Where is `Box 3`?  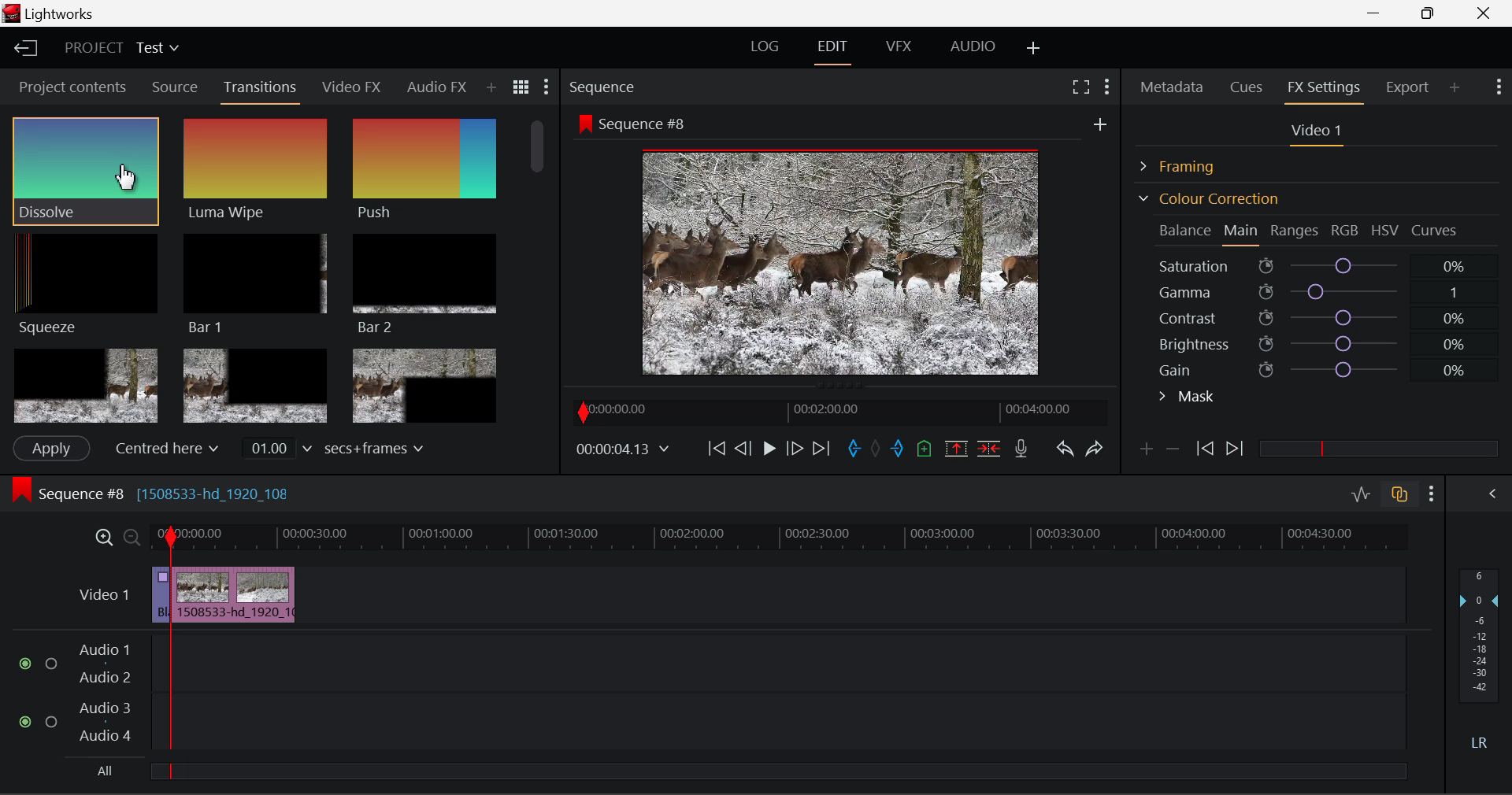
Box 3 is located at coordinates (422, 386).